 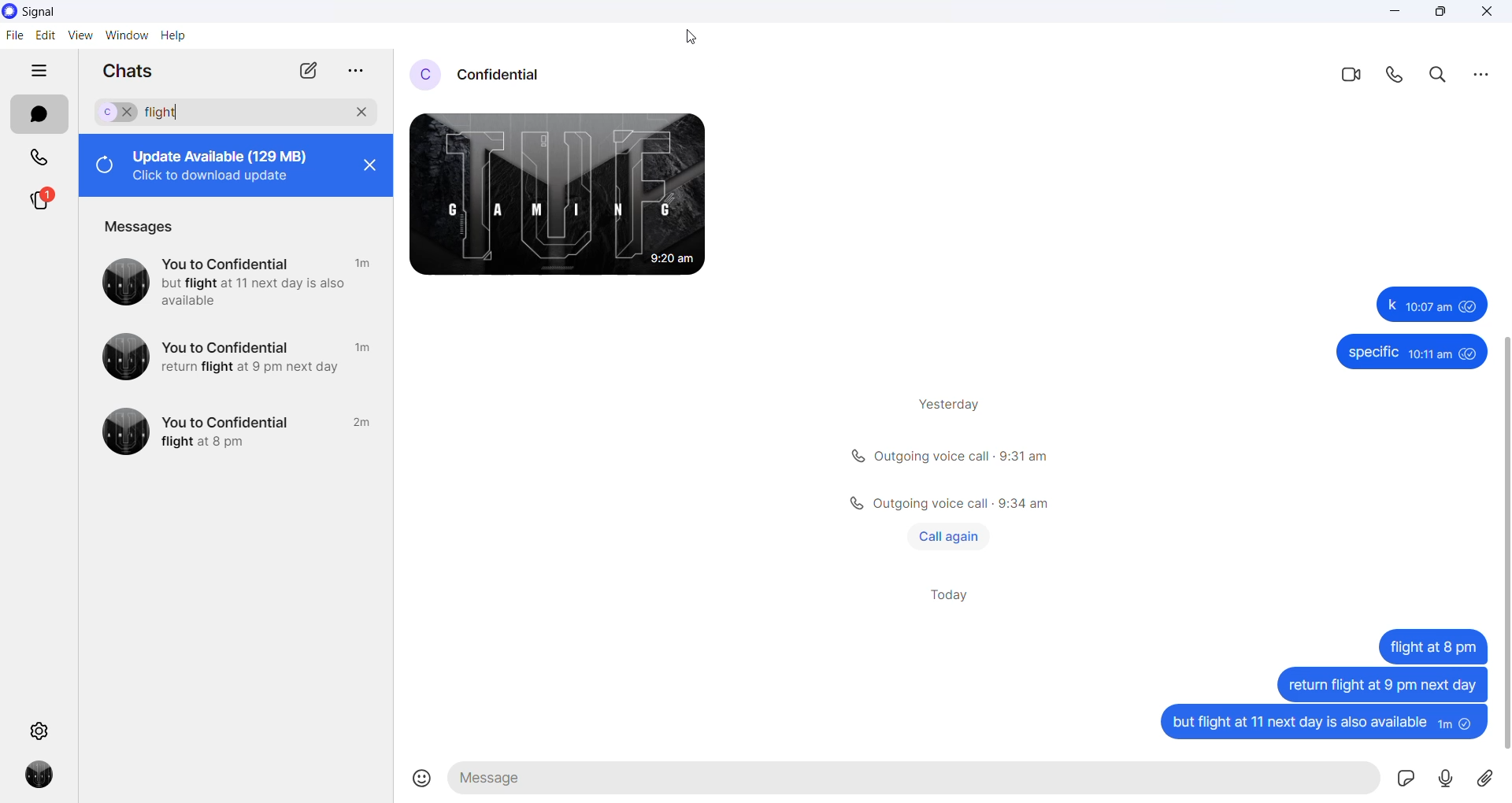 What do you see at coordinates (1428, 304) in the screenshot?
I see `` at bounding box center [1428, 304].